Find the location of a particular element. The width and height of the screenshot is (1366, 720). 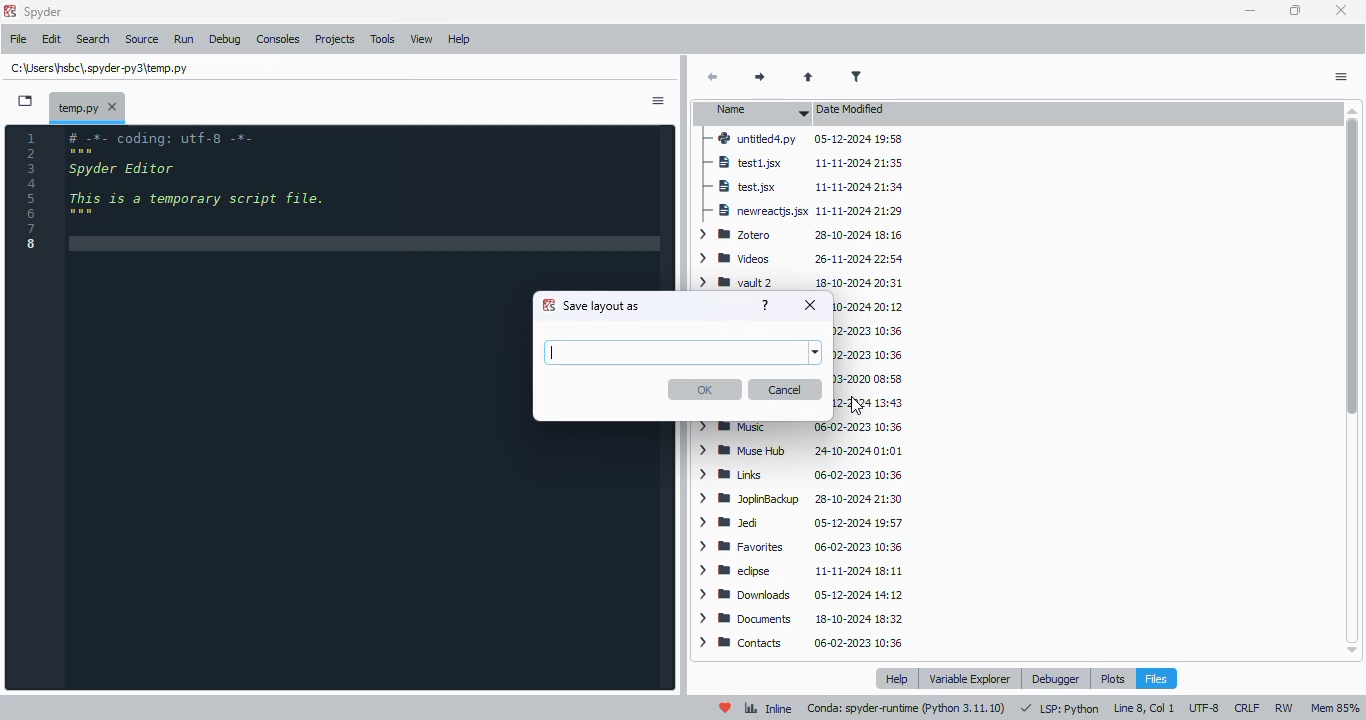

close is located at coordinates (809, 305).